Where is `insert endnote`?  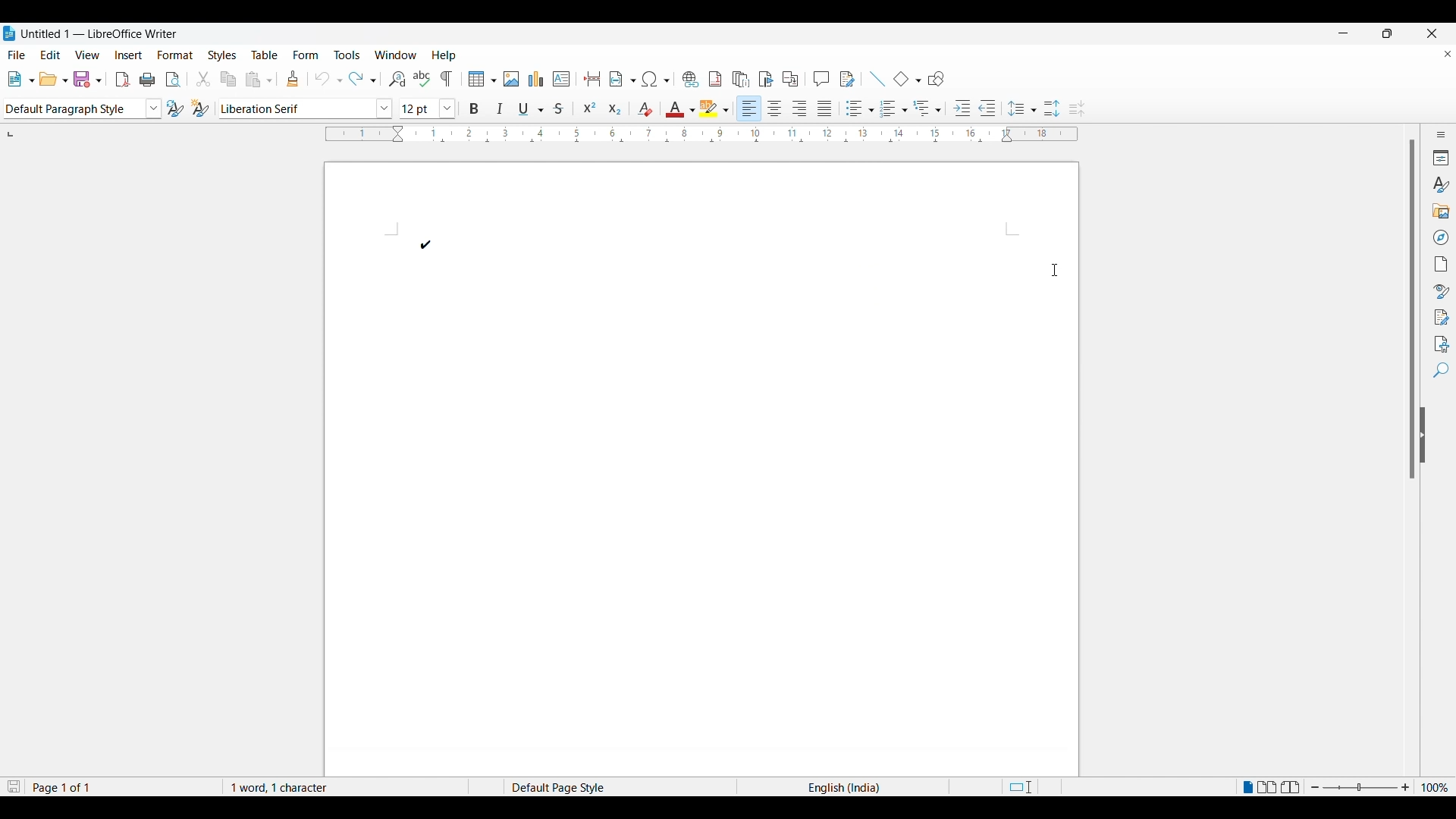 insert endnote is located at coordinates (740, 78).